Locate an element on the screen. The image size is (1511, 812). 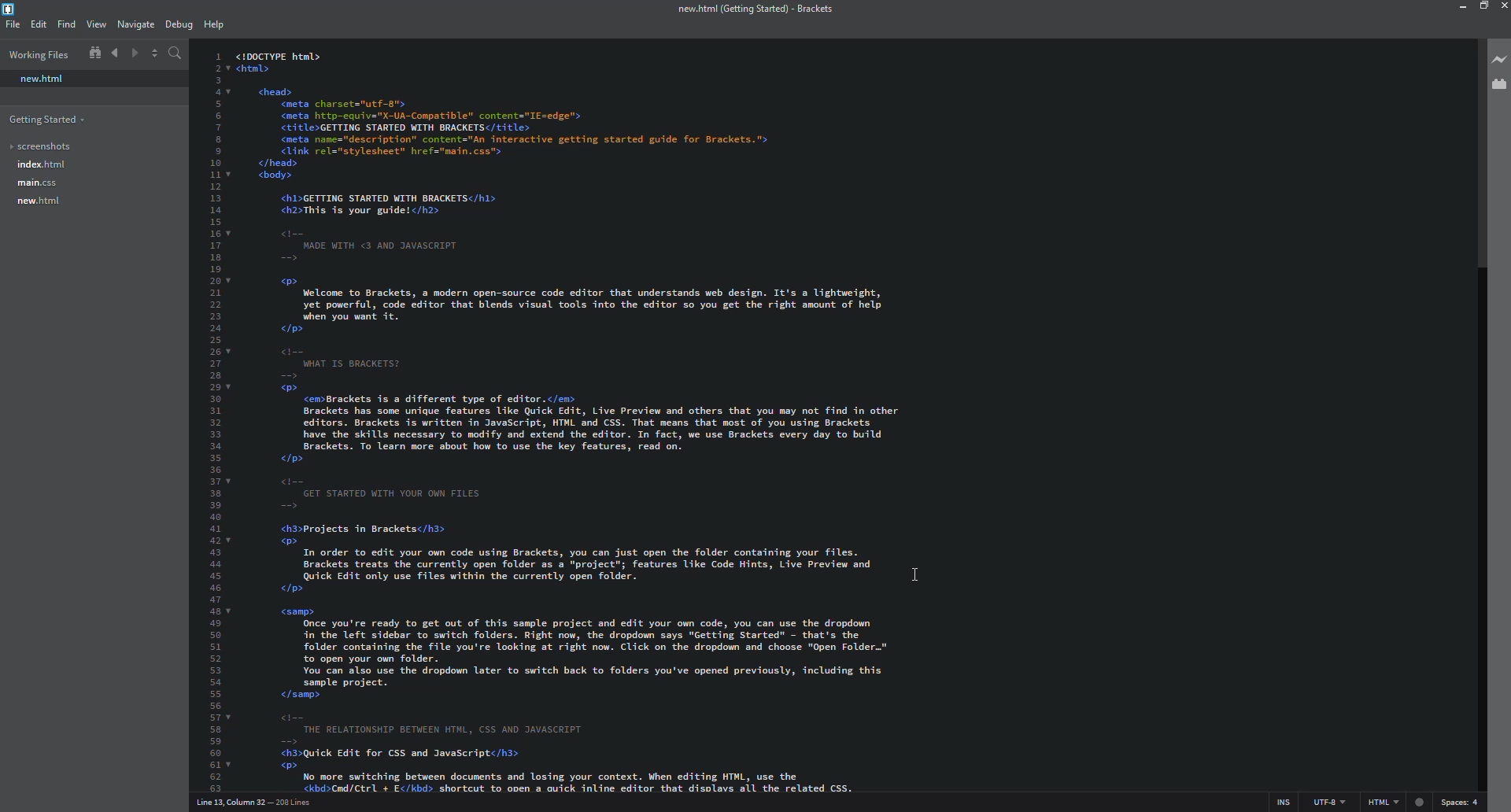
back is located at coordinates (114, 54).